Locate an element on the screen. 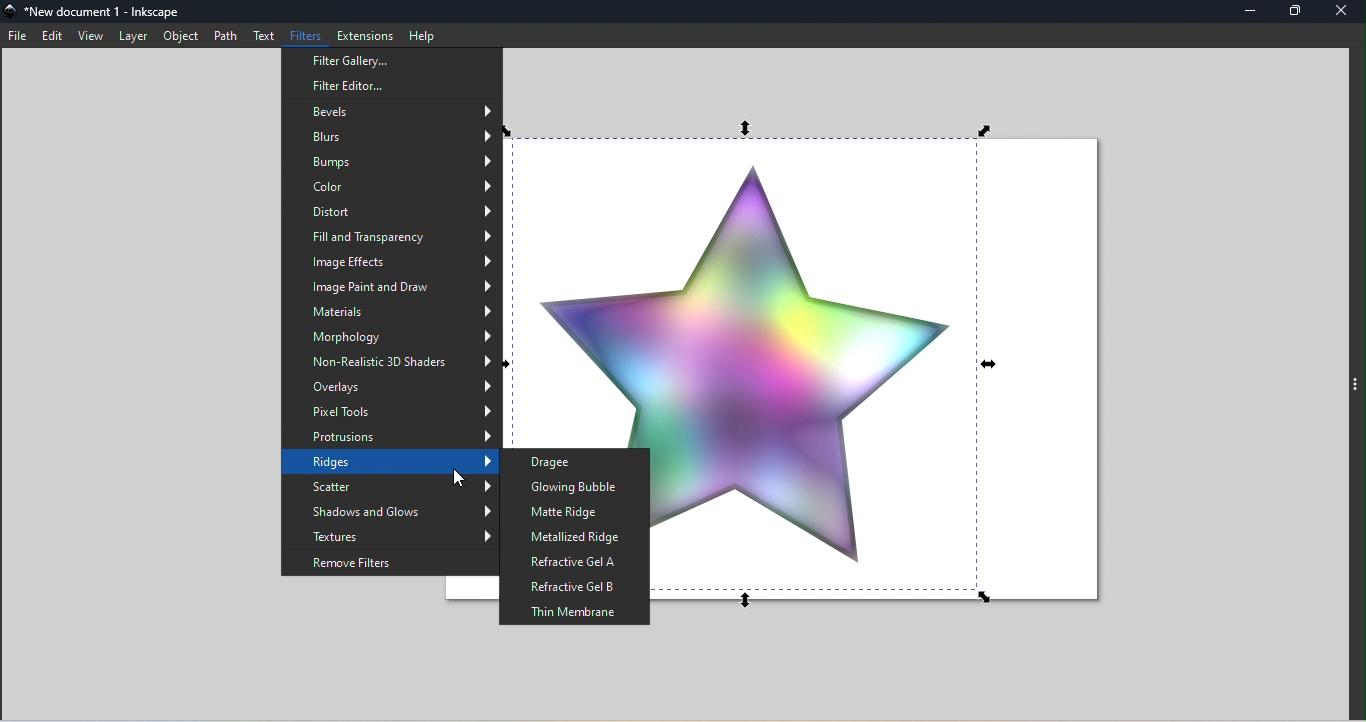 The image size is (1366, 722). Color is located at coordinates (389, 189).